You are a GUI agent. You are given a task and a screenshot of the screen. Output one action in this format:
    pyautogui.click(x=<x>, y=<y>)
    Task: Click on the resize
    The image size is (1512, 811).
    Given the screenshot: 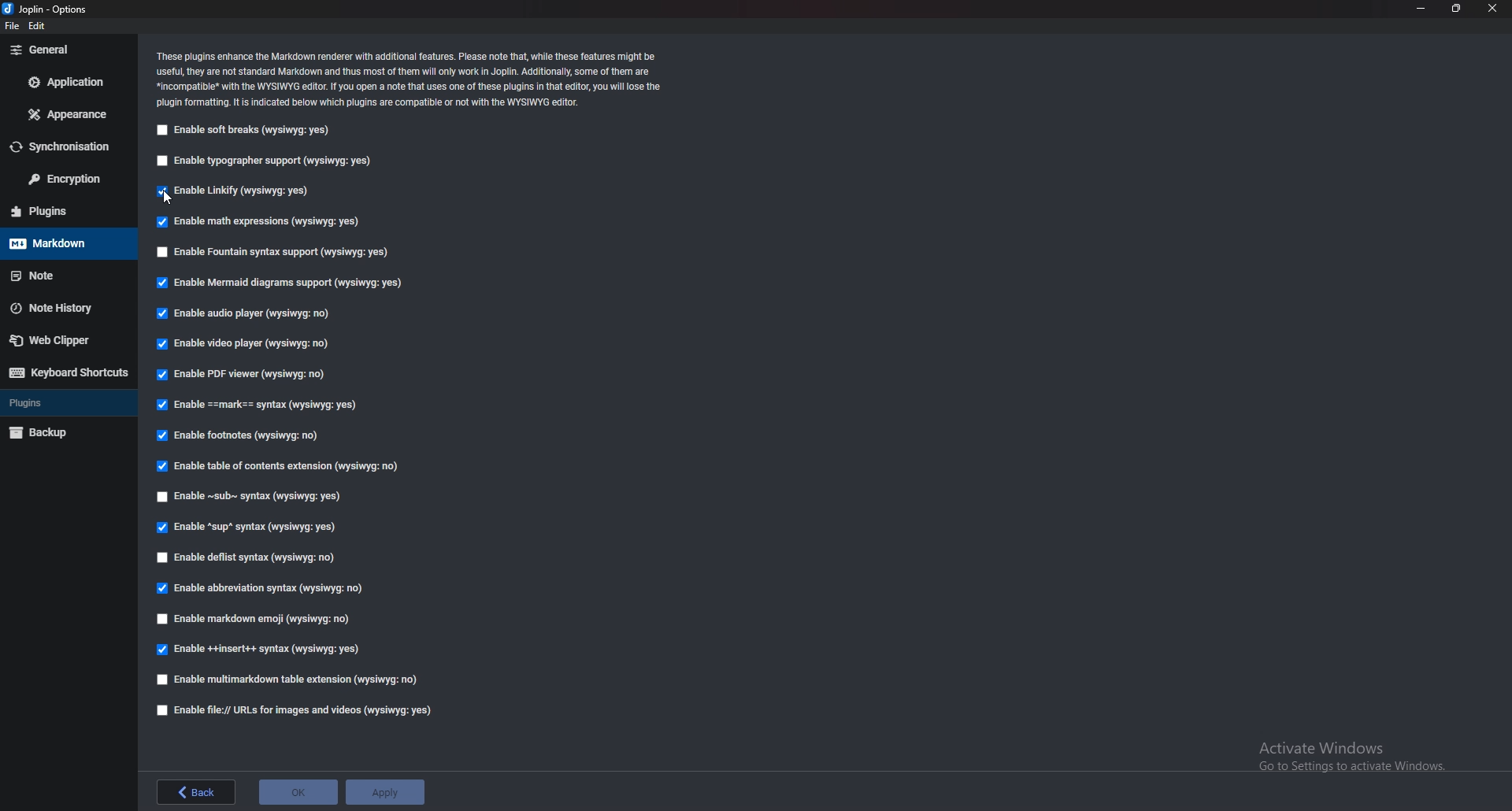 What is the action you would take?
    pyautogui.click(x=1457, y=9)
    